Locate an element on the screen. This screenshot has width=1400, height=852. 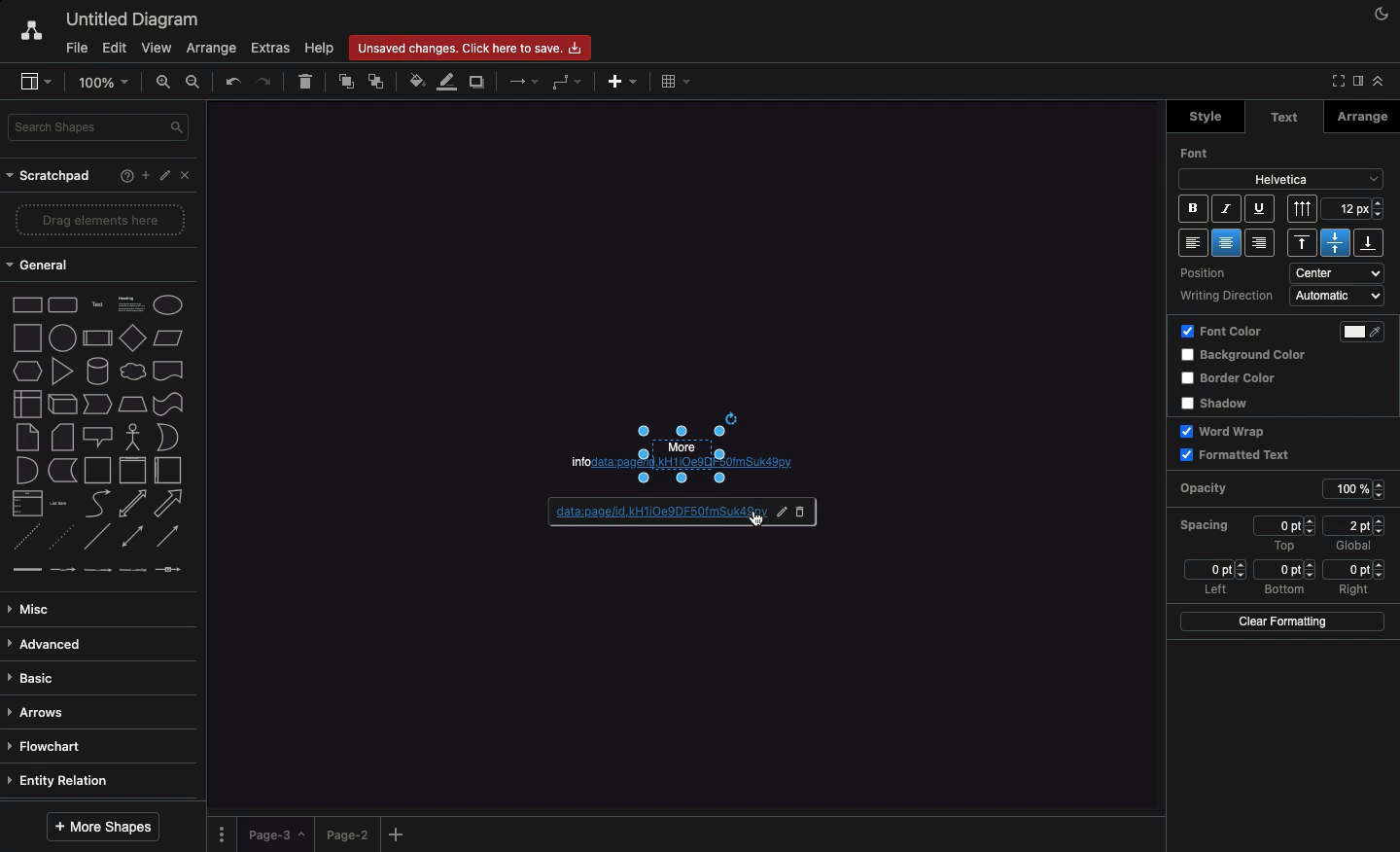
square is located at coordinates (27, 337).